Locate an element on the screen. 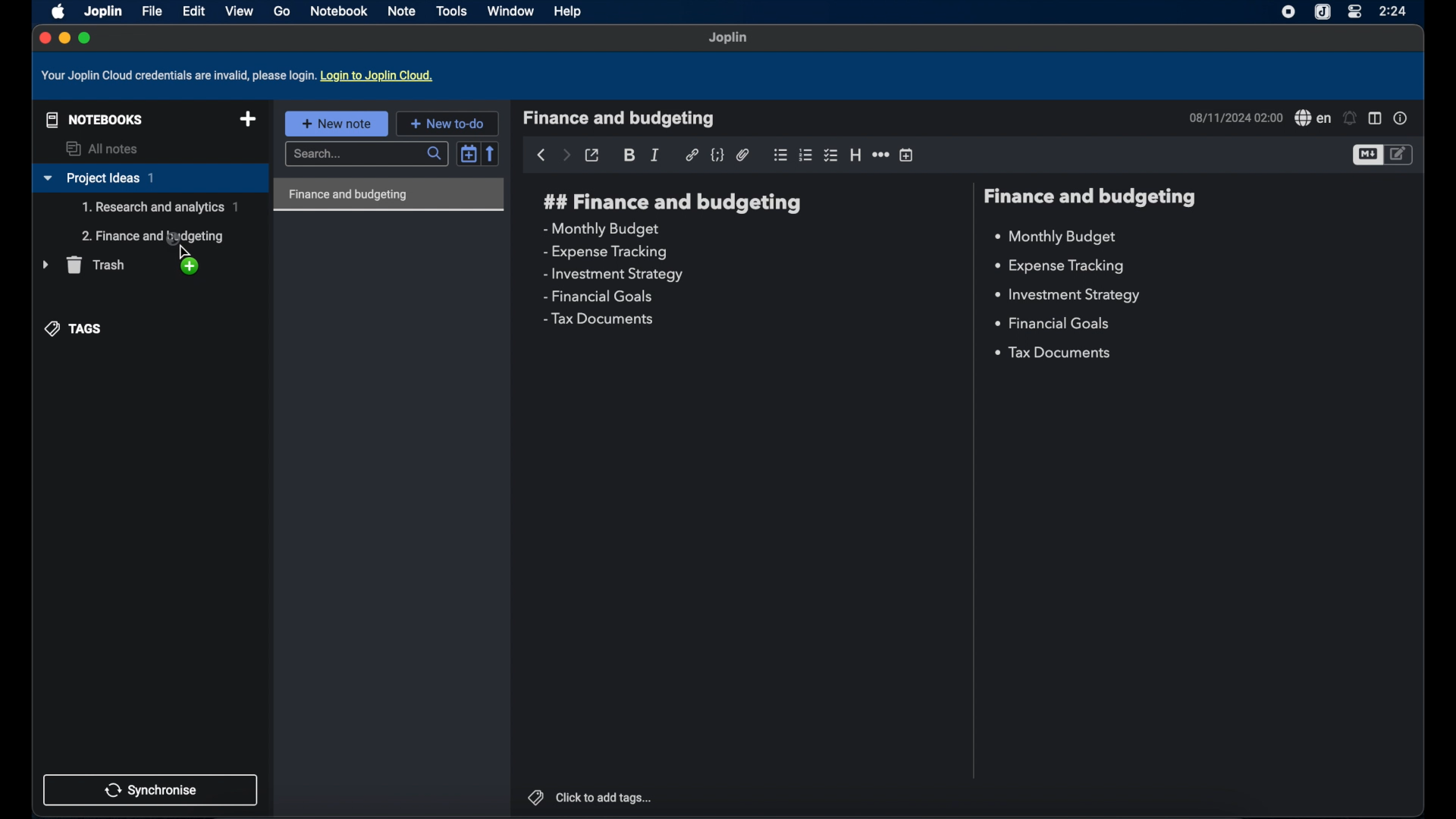 The image size is (1456, 819). minimize is located at coordinates (64, 39).